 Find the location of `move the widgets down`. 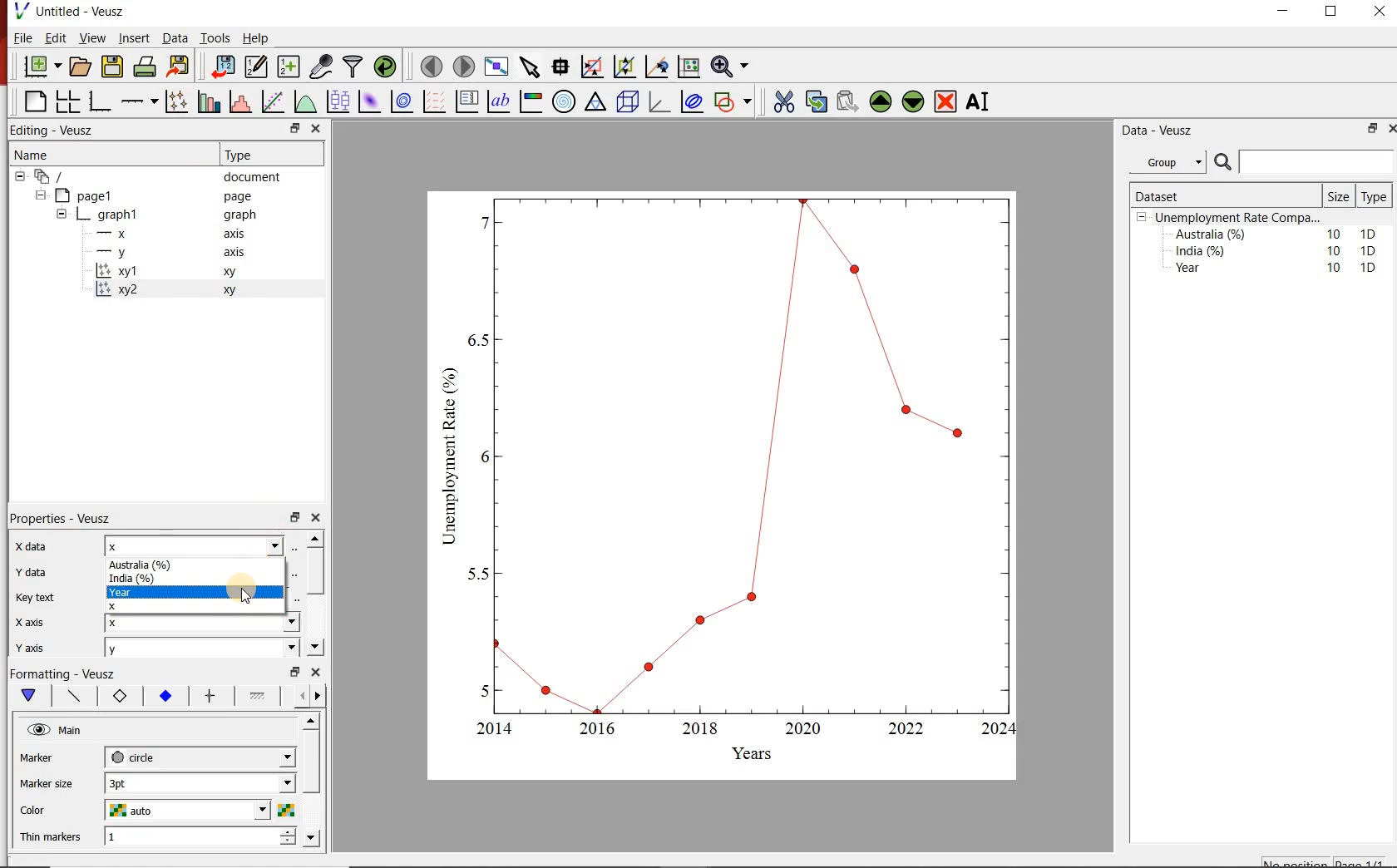

move the widgets down is located at coordinates (911, 101).